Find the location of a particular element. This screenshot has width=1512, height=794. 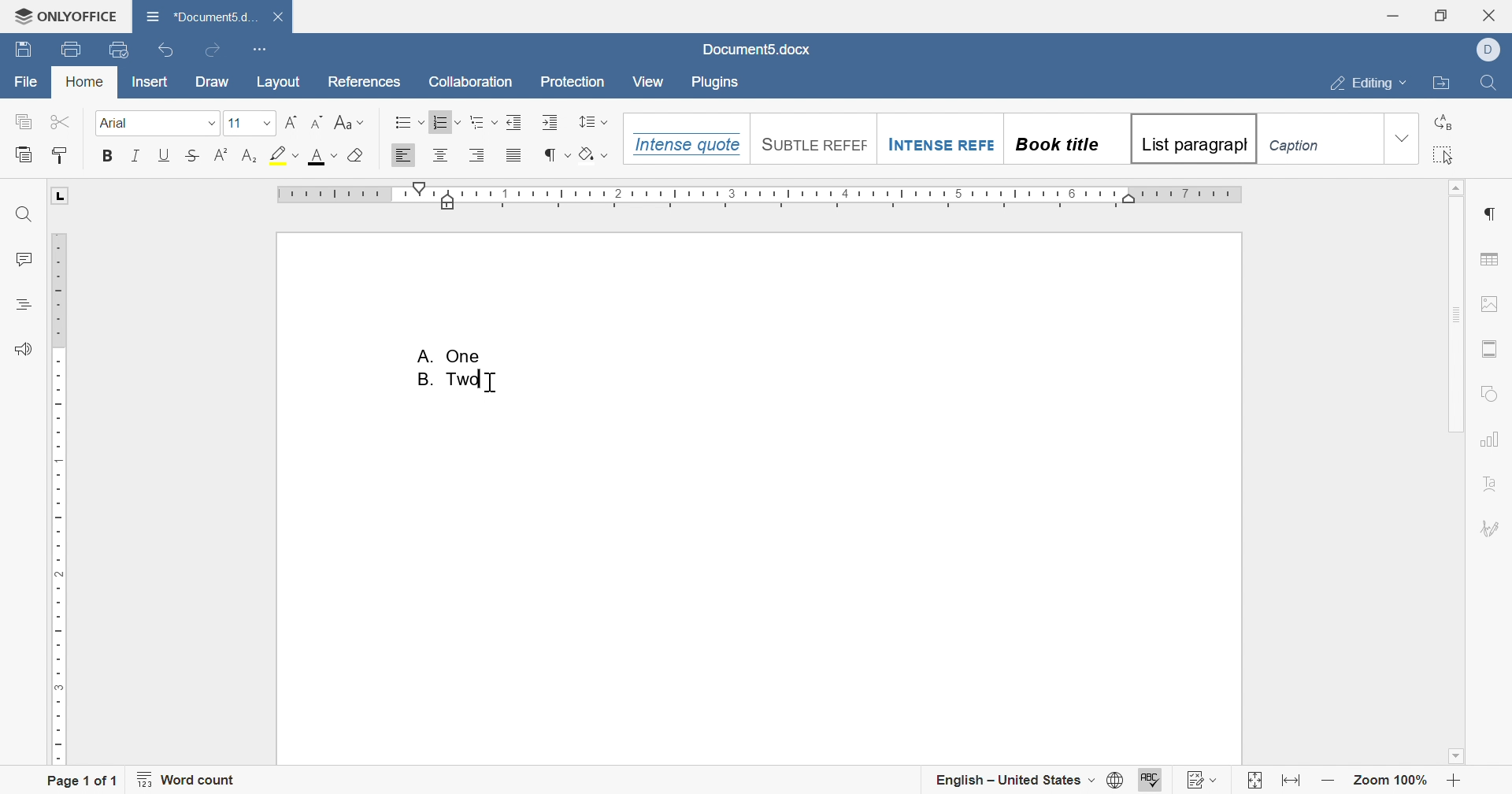

Bold is located at coordinates (108, 155).